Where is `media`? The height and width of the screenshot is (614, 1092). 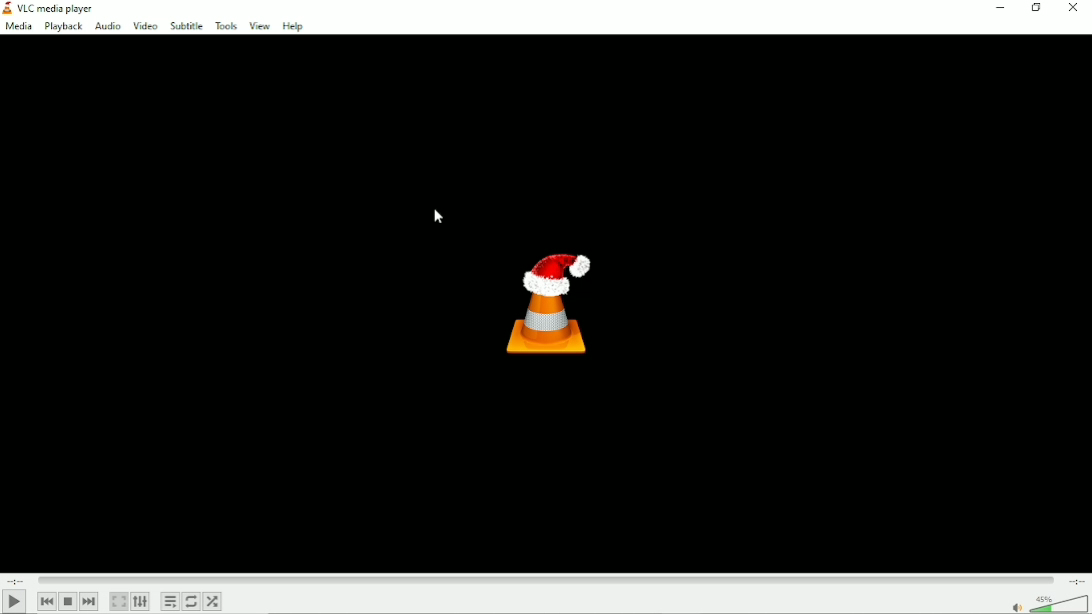 media is located at coordinates (18, 28).